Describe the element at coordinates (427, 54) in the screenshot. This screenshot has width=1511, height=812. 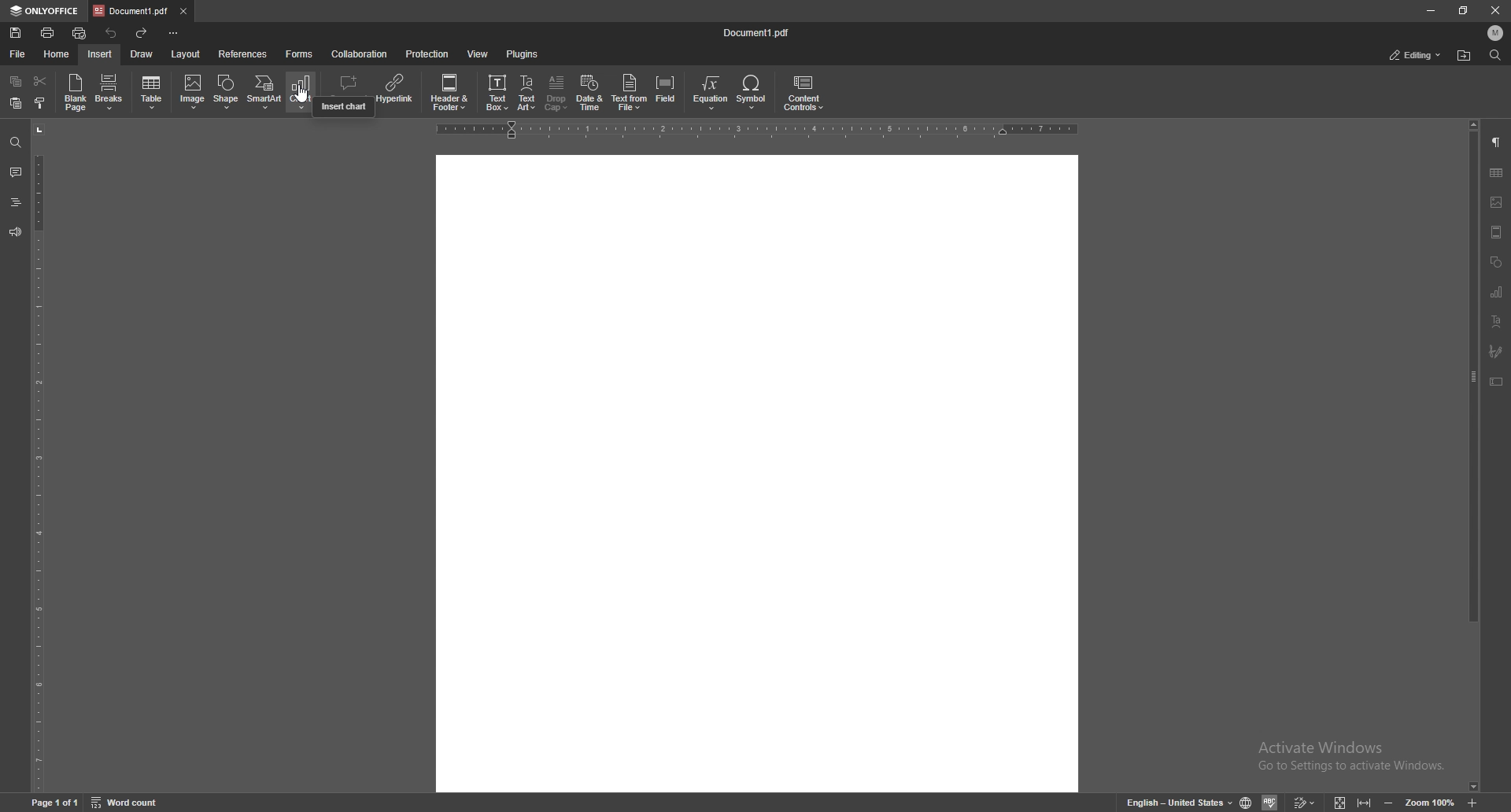
I see `protection` at that location.